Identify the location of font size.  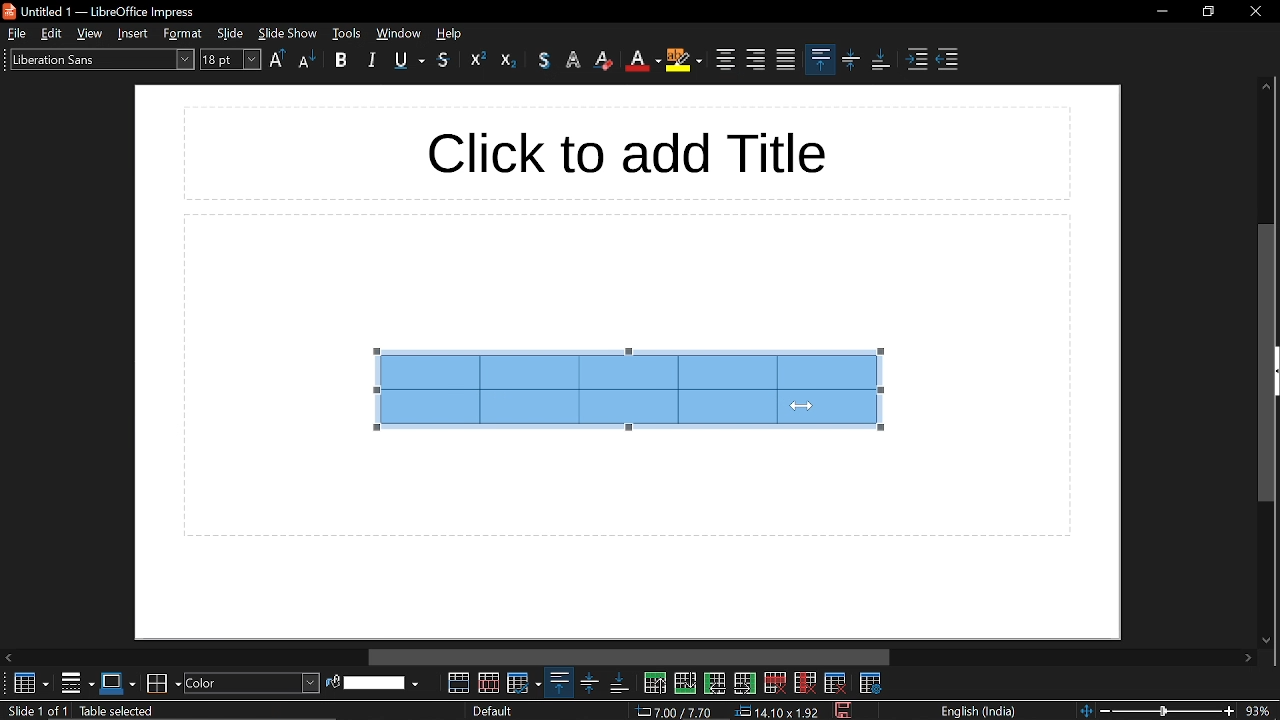
(231, 59).